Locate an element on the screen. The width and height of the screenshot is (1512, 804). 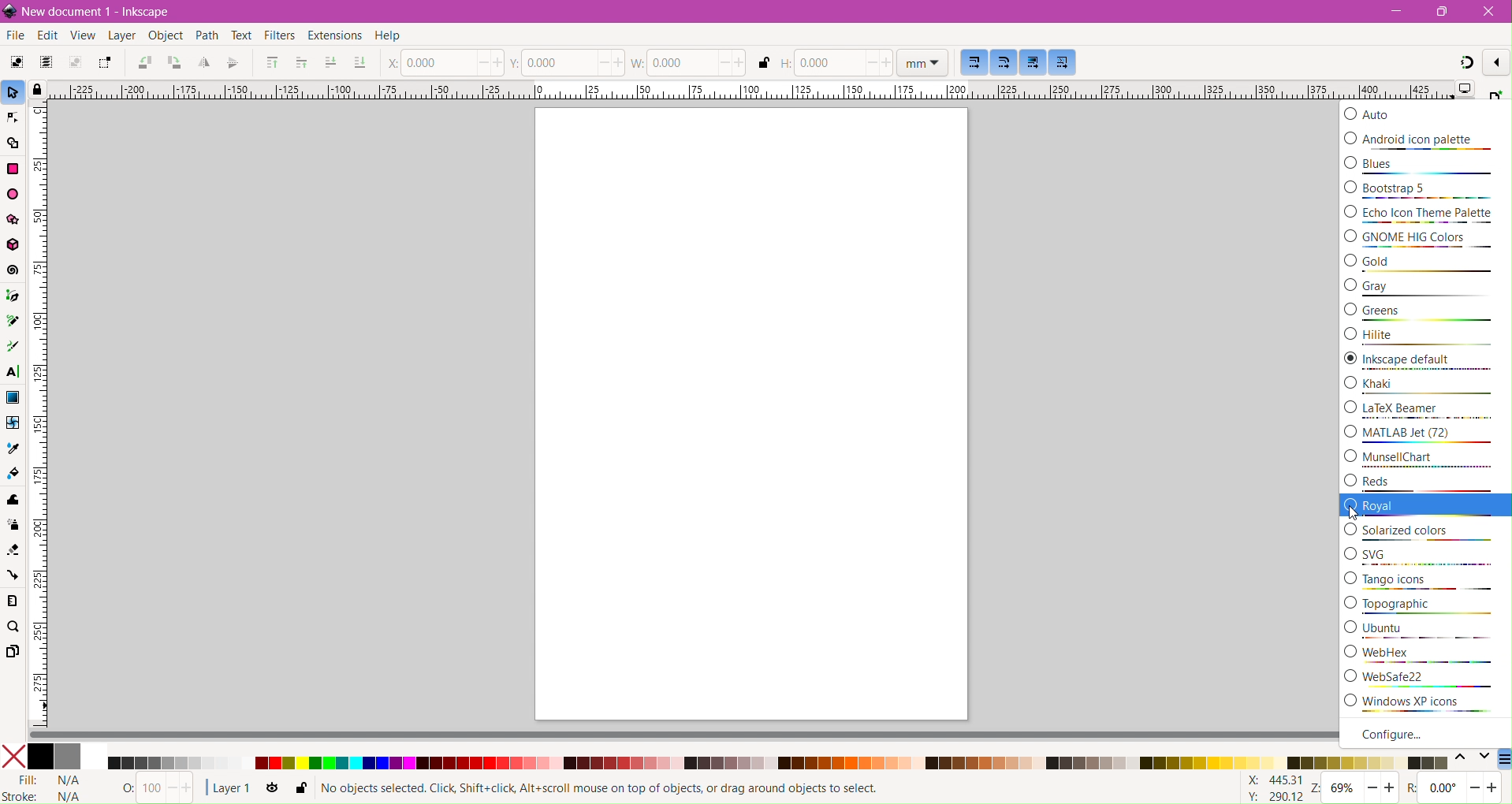
Cursor coordinates is located at coordinates (1268, 788).